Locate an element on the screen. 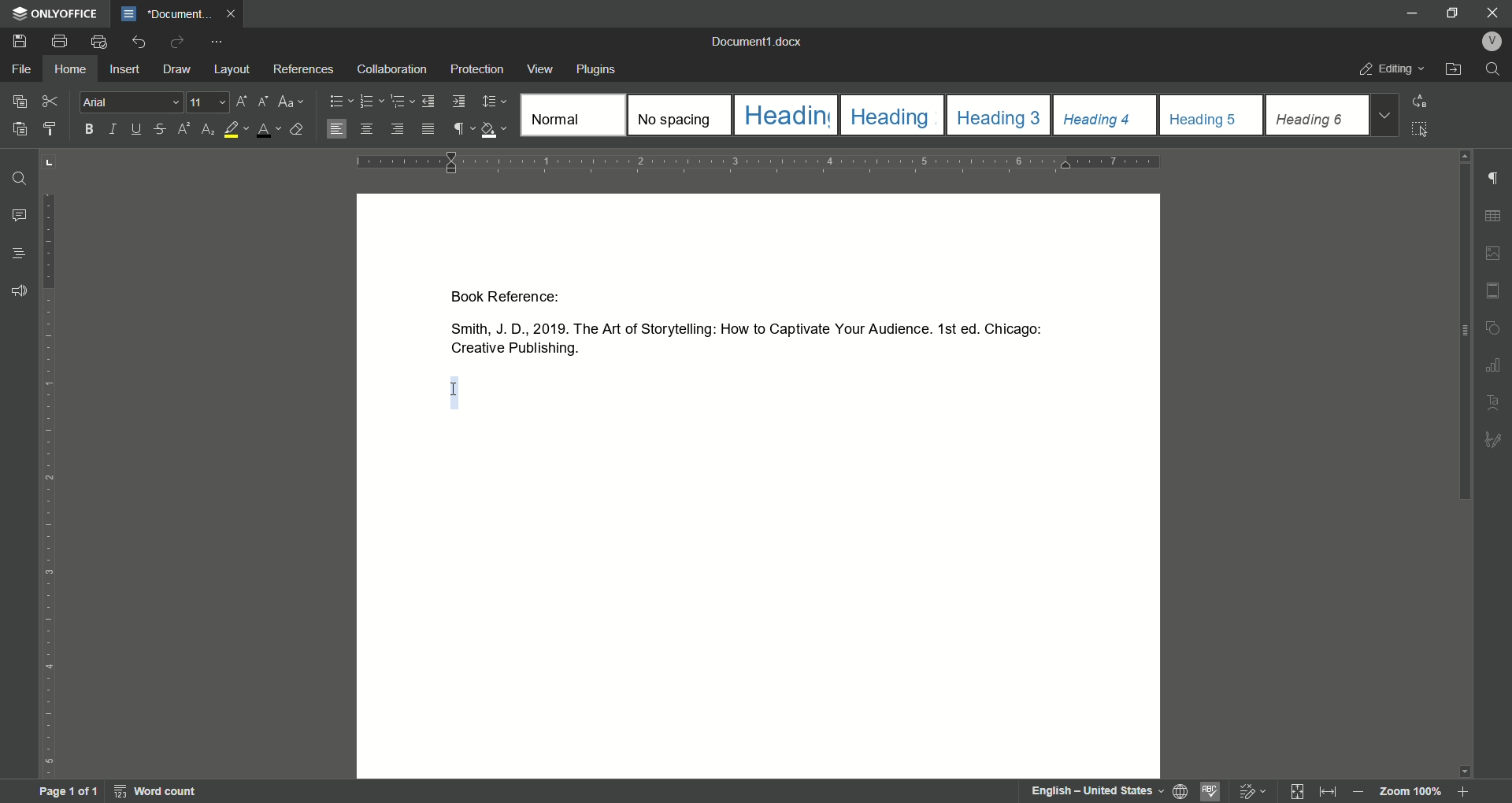  font color is located at coordinates (269, 131).